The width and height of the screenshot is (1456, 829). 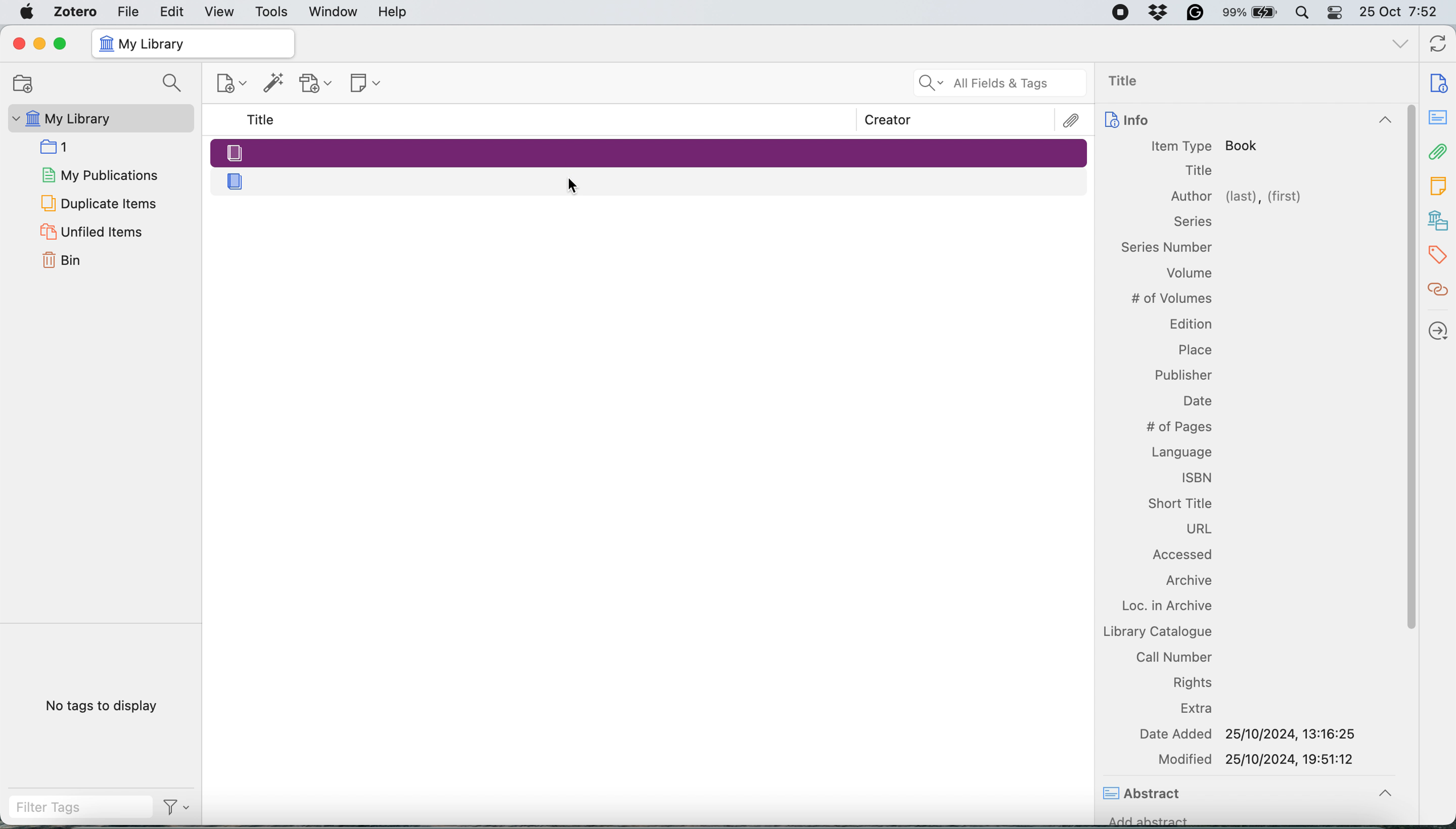 What do you see at coordinates (1196, 12) in the screenshot?
I see `Grammarly` at bounding box center [1196, 12].